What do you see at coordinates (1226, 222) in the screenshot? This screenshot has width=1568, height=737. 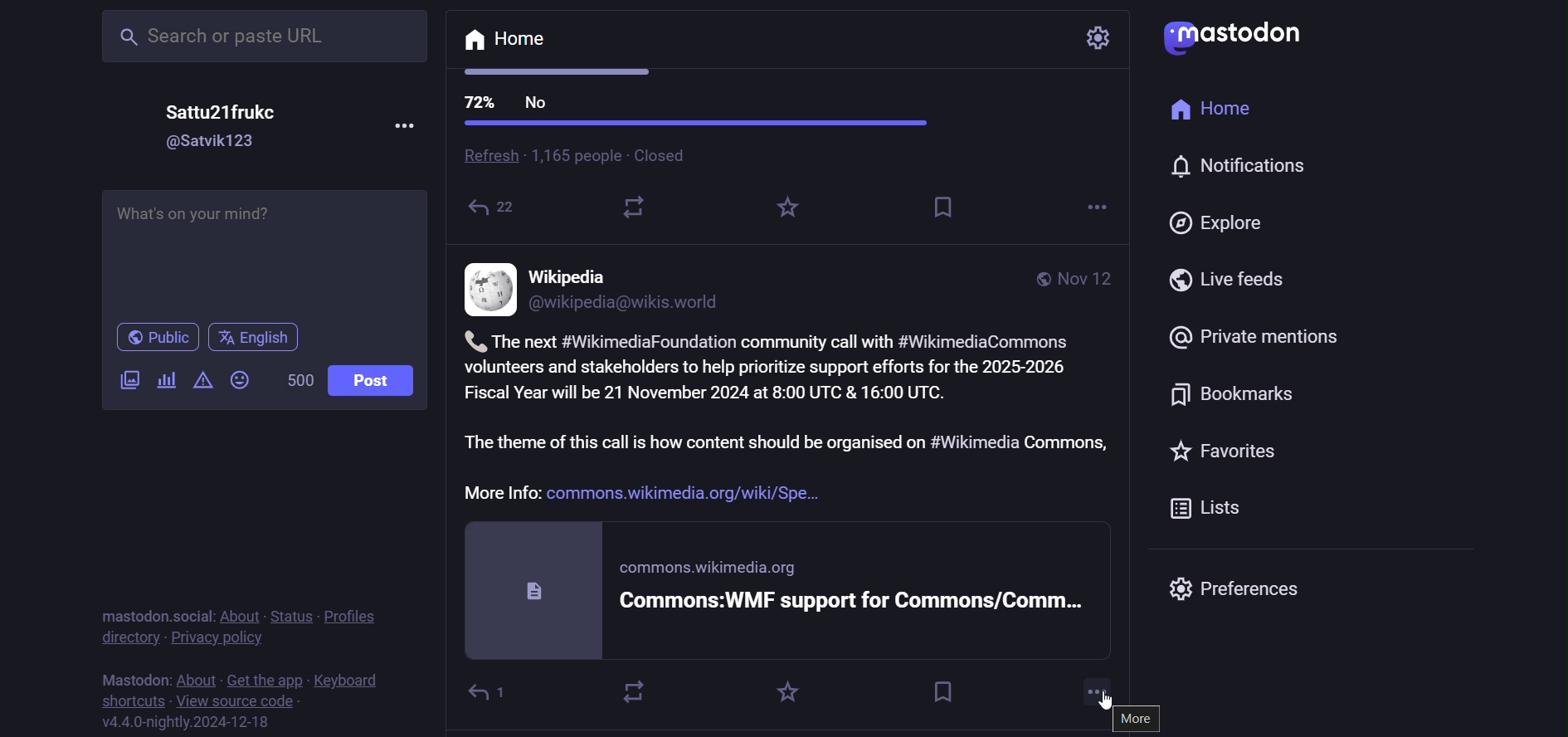 I see `explore` at bounding box center [1226, 222].